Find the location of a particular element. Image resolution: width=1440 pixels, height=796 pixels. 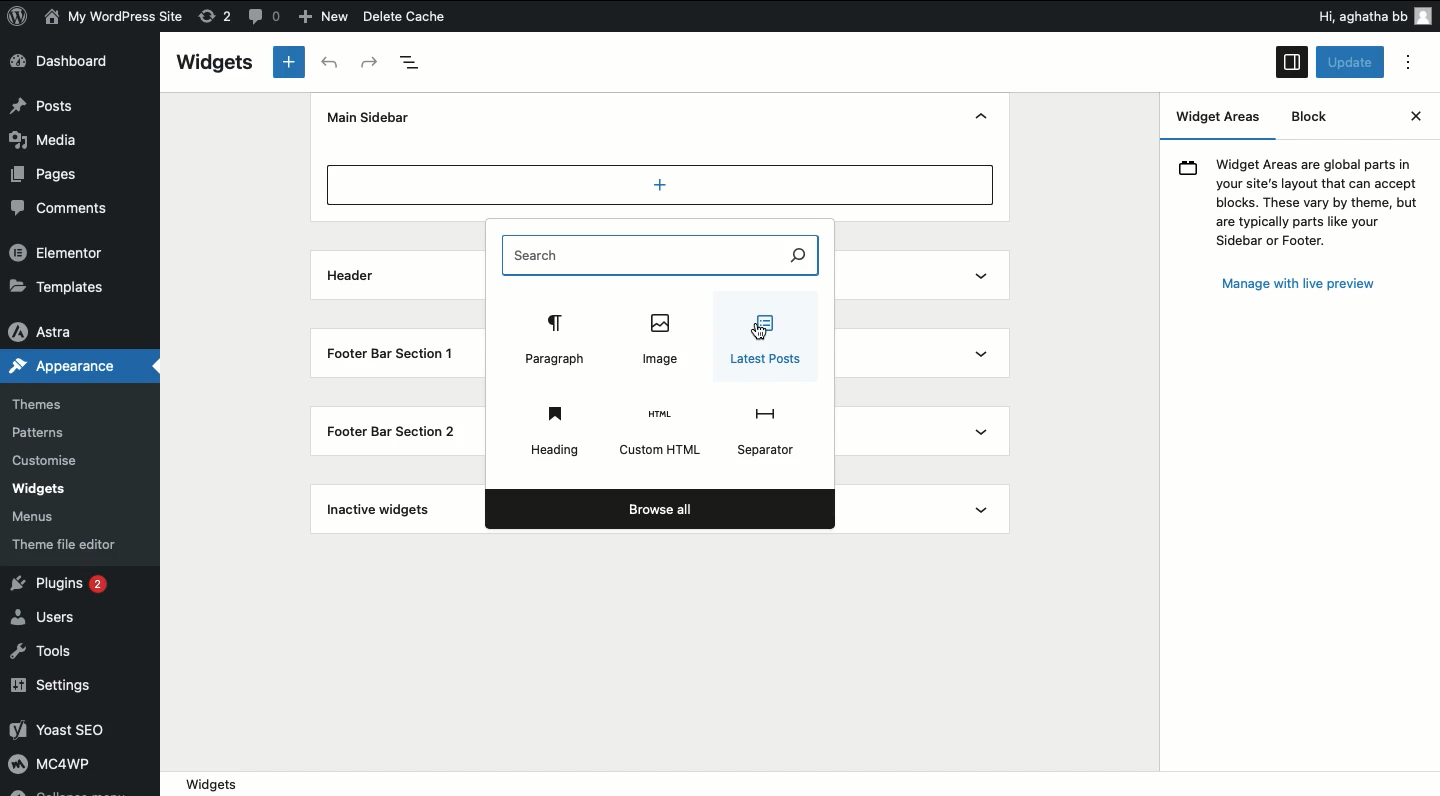

Elementor is located at coordinates (58, 250).